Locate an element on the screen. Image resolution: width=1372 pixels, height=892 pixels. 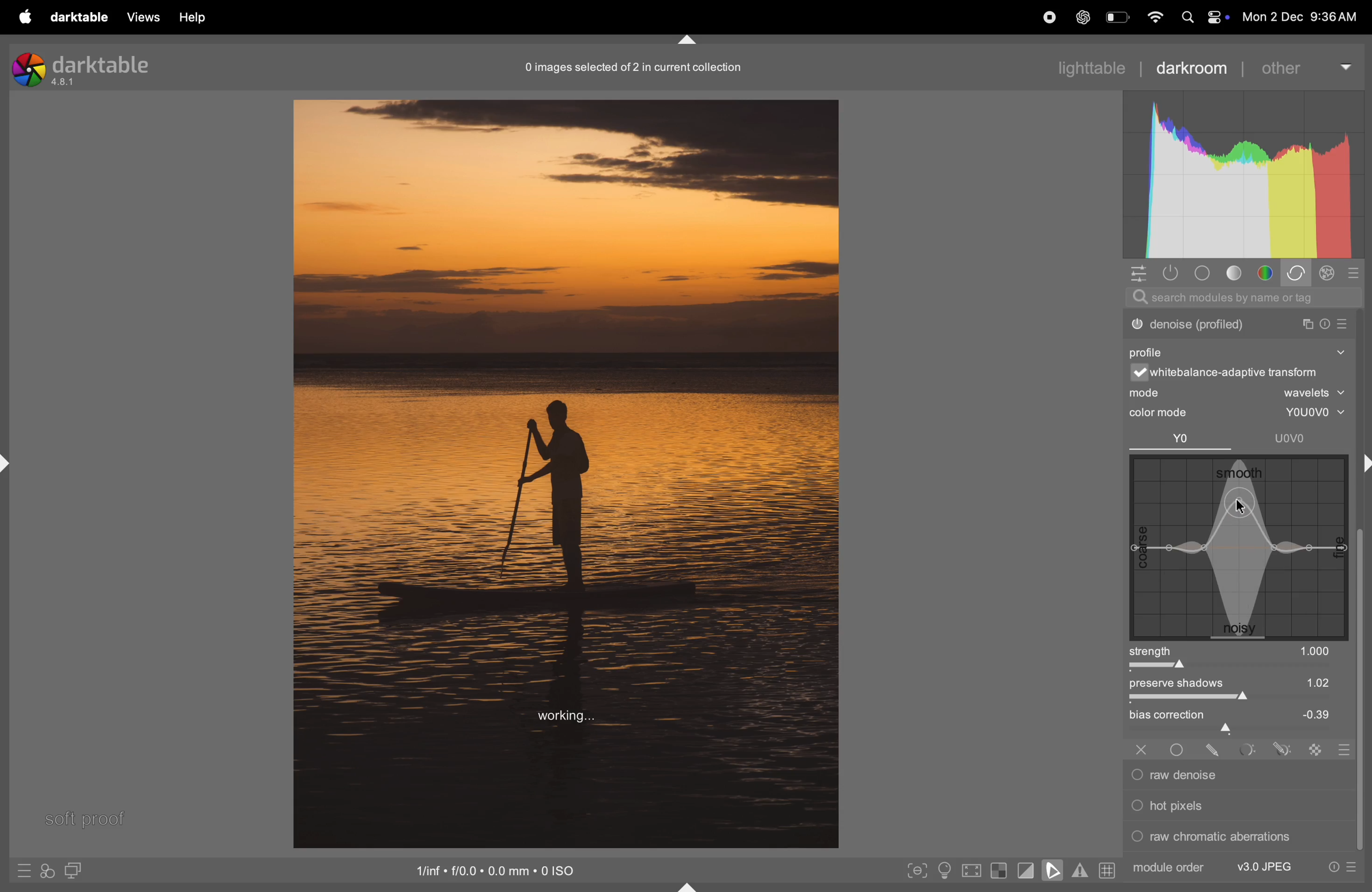
darktable version is located at coordinates (82, 66).